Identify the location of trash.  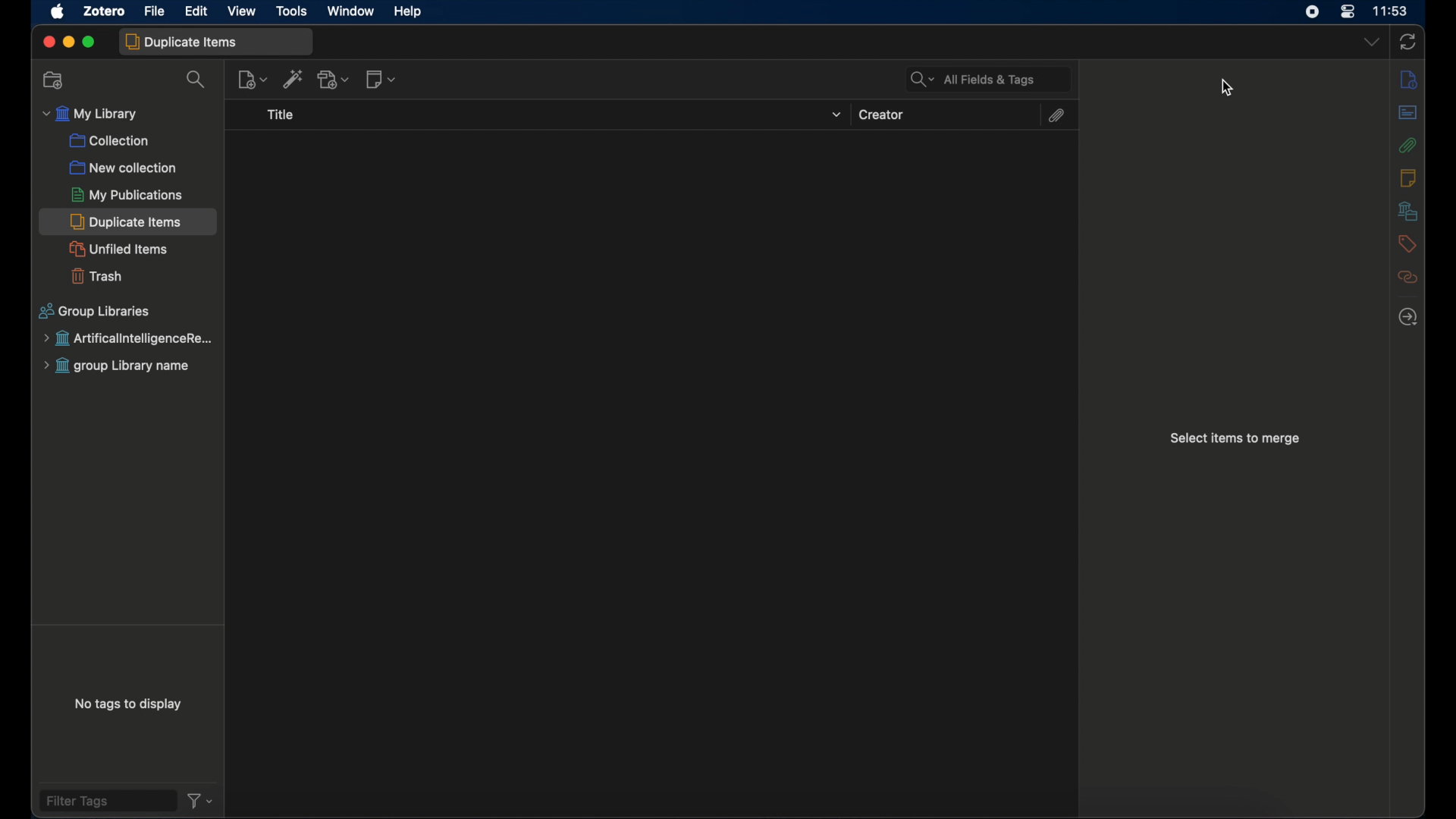
(96, 276).